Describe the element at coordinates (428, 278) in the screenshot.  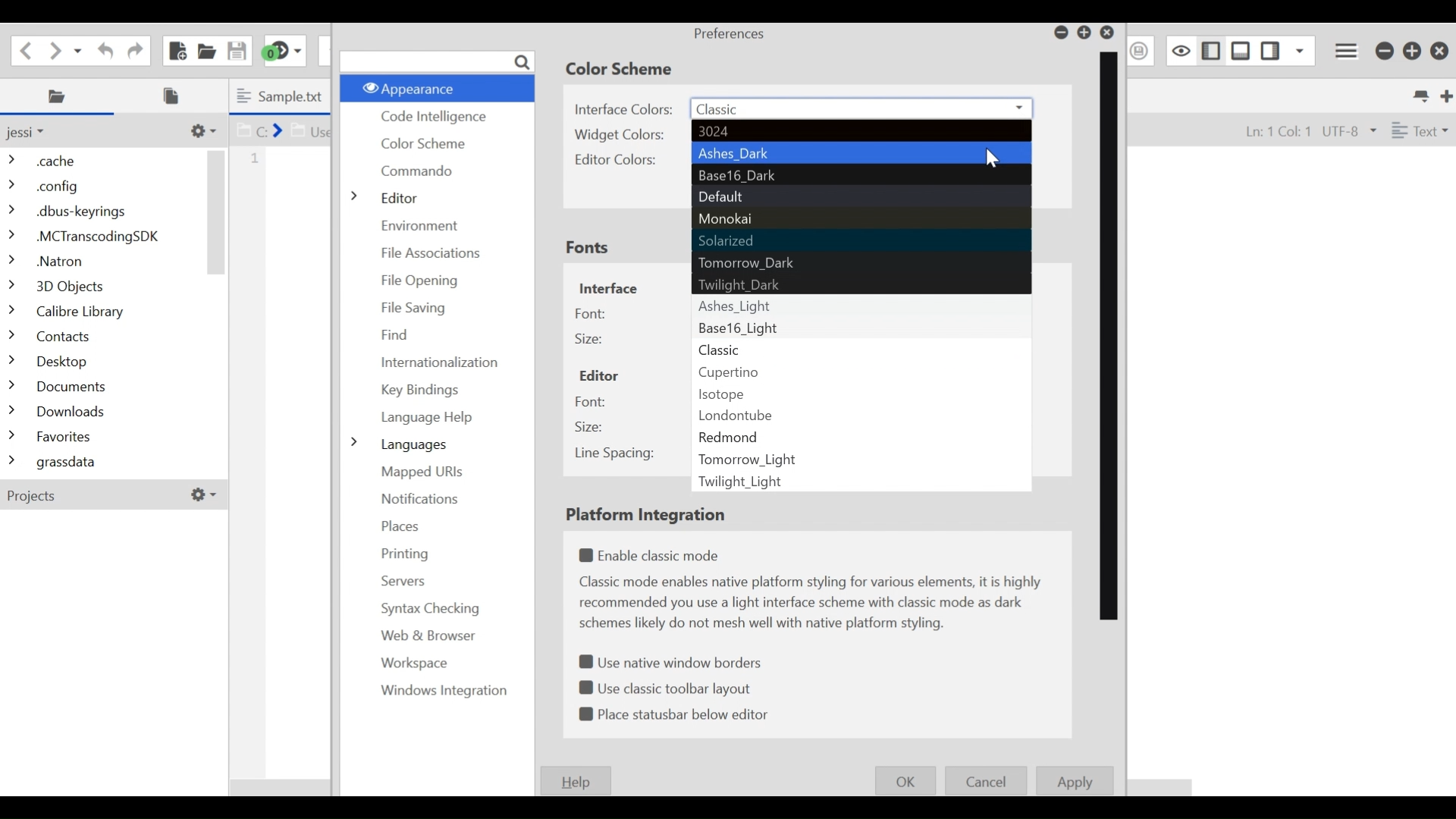
I see `File Opening` at that location.